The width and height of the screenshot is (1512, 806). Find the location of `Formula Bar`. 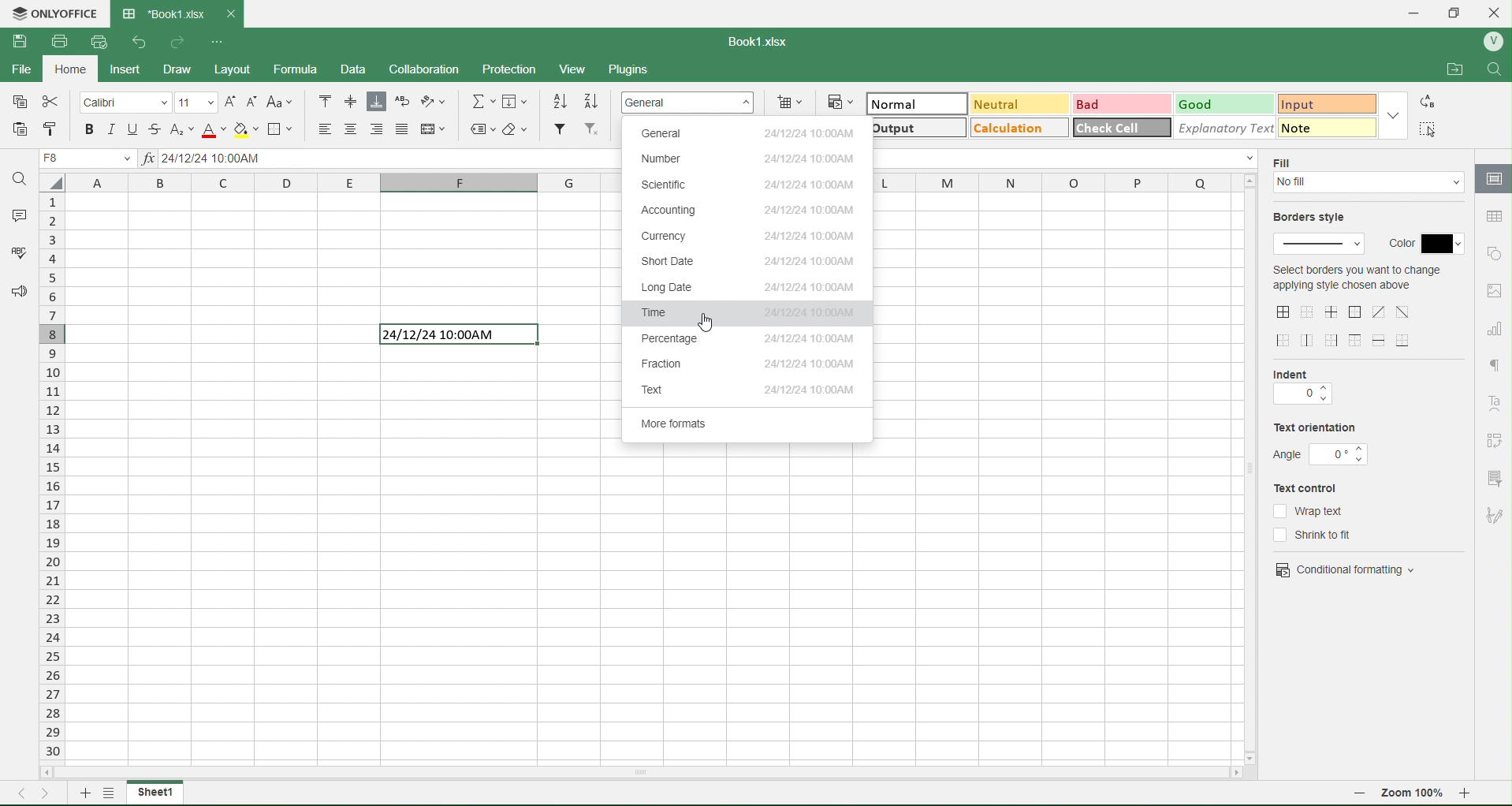

Formula Bar is located at coordinates (378, 160).